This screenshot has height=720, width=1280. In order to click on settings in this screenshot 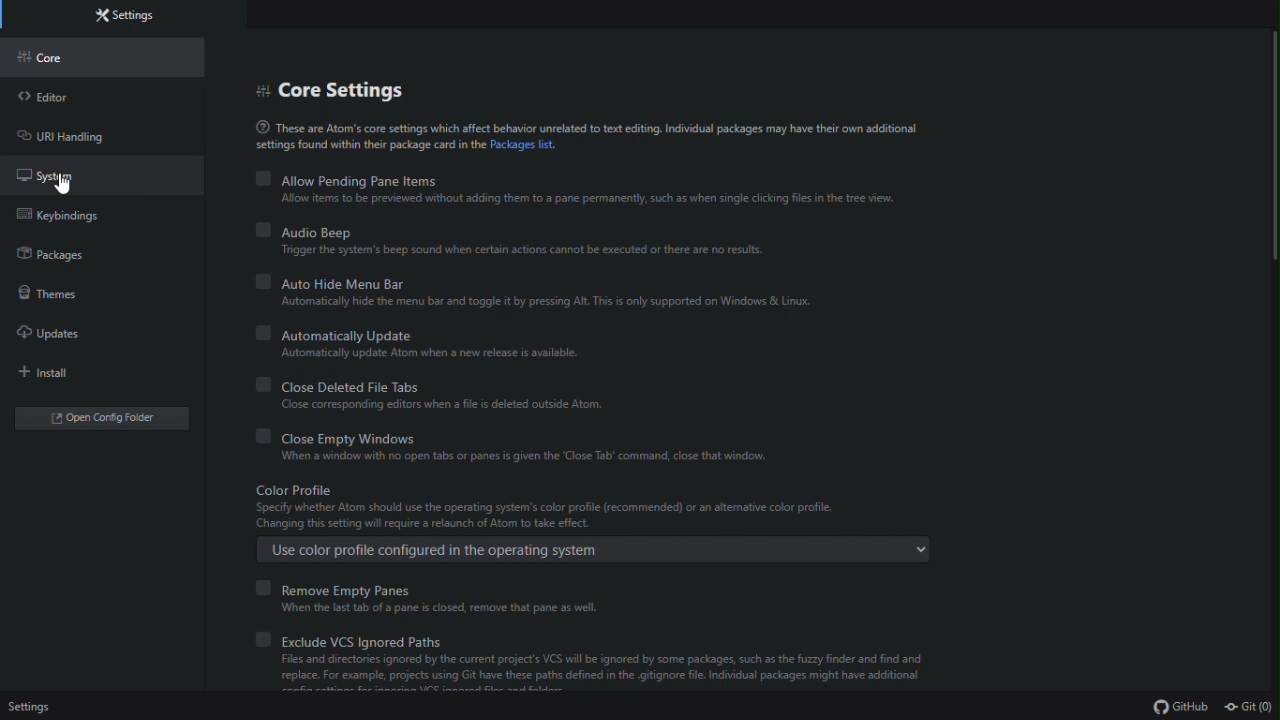, I will do `click(28, 707)`.